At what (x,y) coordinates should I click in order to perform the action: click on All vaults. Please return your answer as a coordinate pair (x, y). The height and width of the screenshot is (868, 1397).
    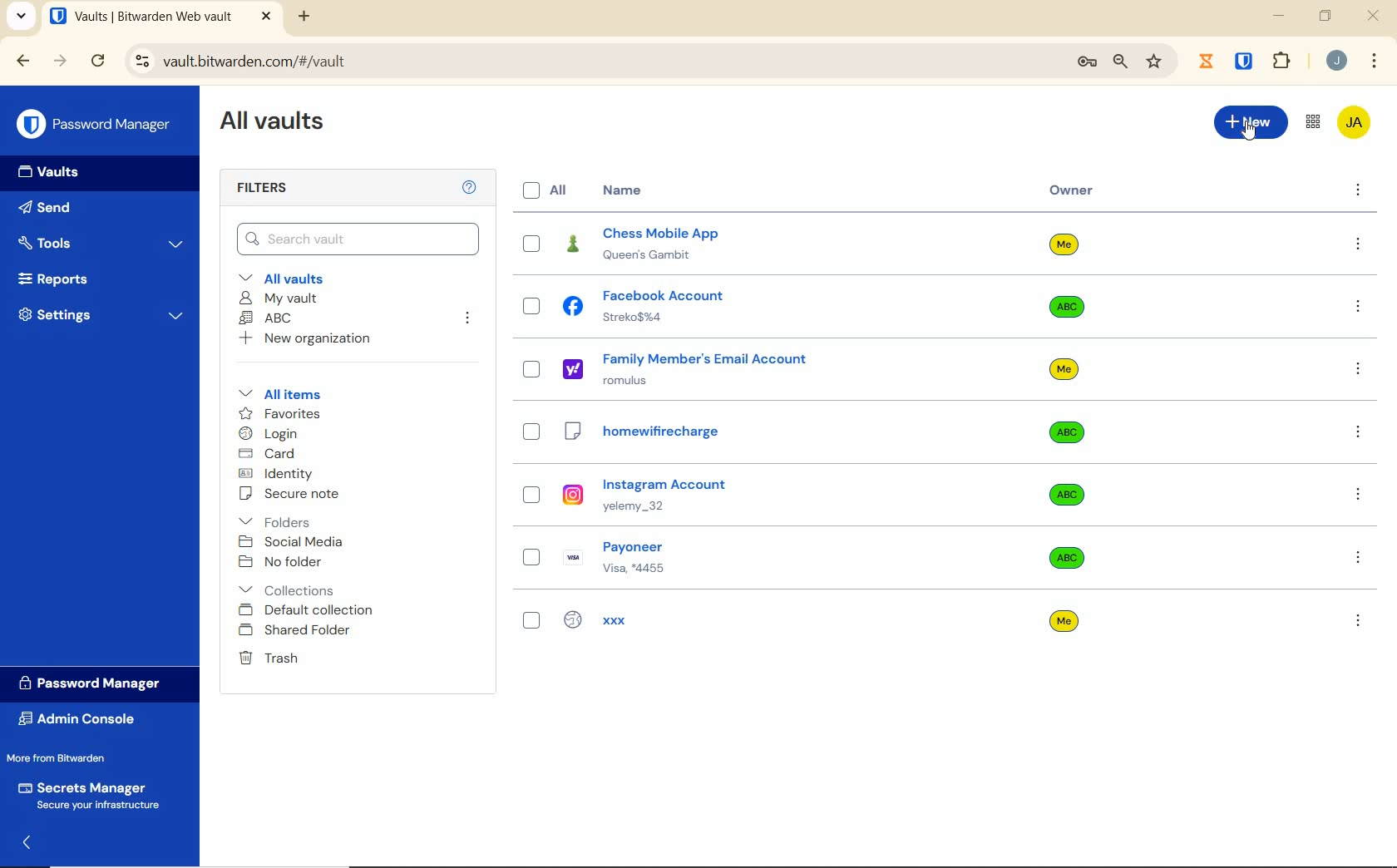
    Looking at the image, I should click on (297, 279).